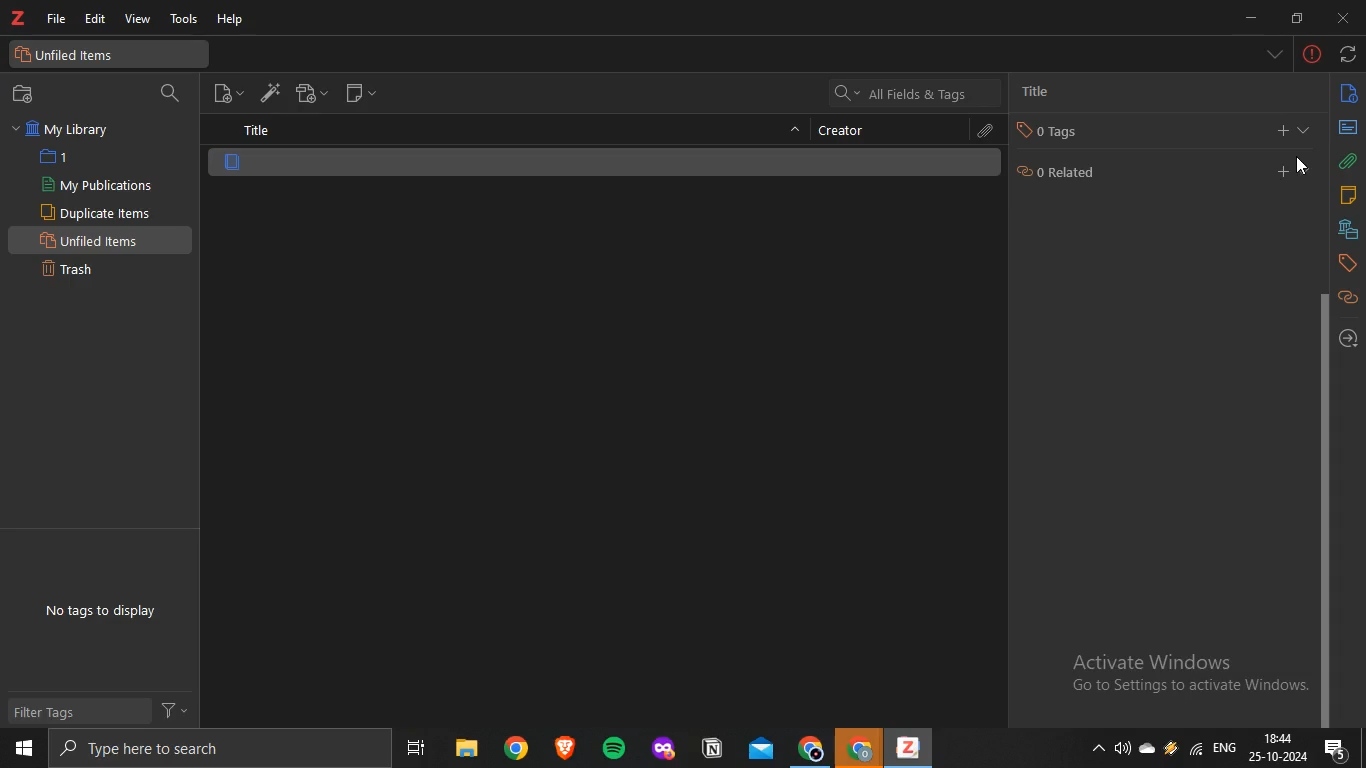  I want to click on title, so click(315, 129).